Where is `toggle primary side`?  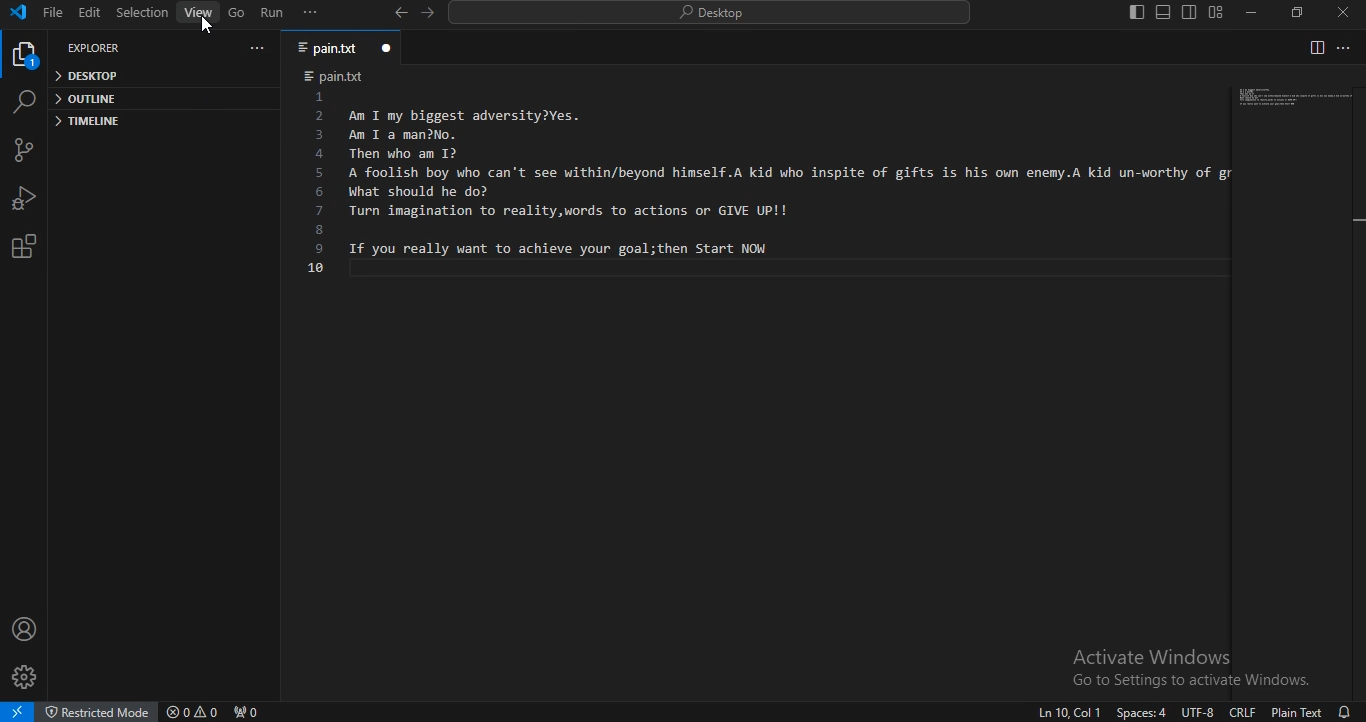
toggle primary side is located at coordinates (1139, 13).